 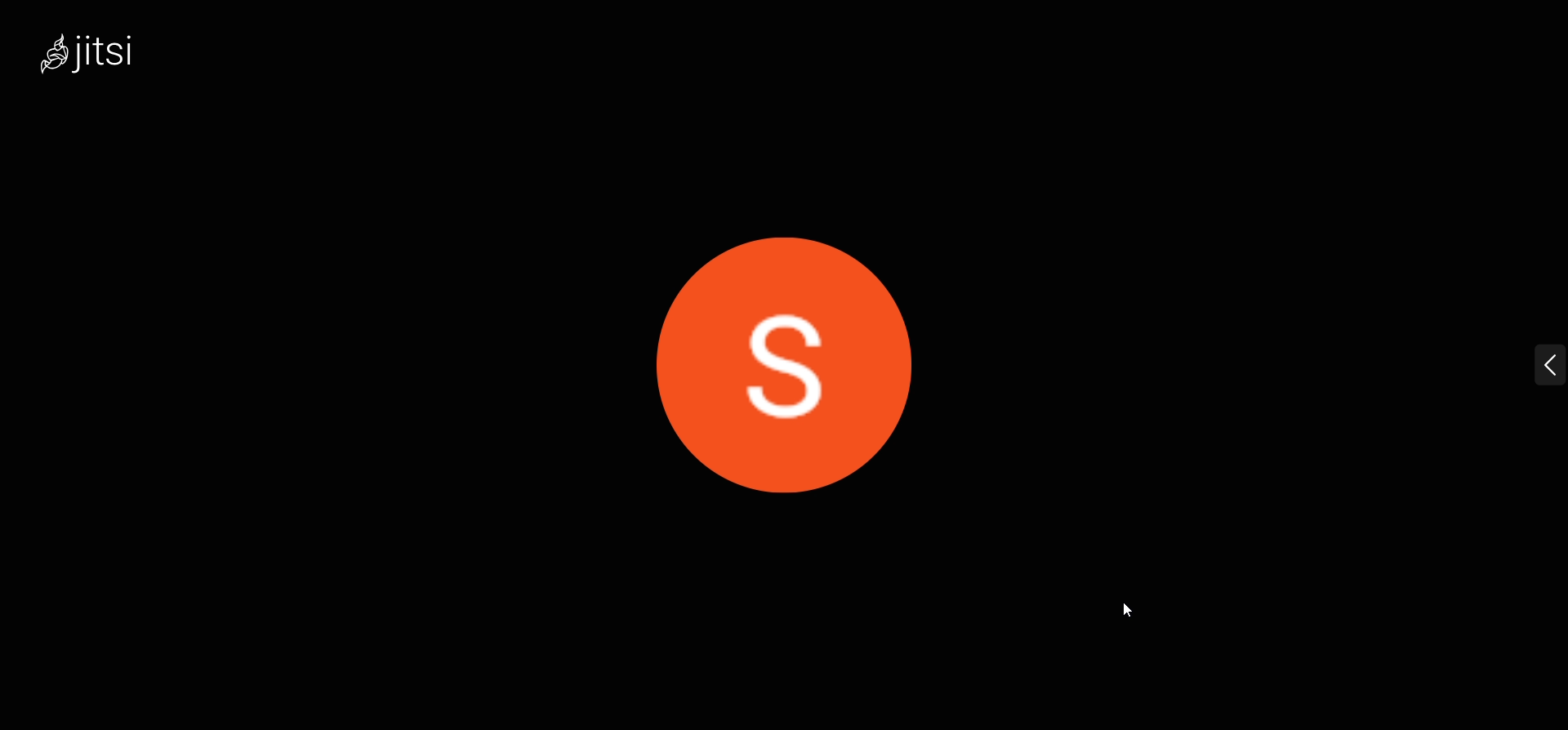 What do you see at coordinates (1129, 613) in the screenshot?
I see `Cursor` at bounding box center [1129, 613].